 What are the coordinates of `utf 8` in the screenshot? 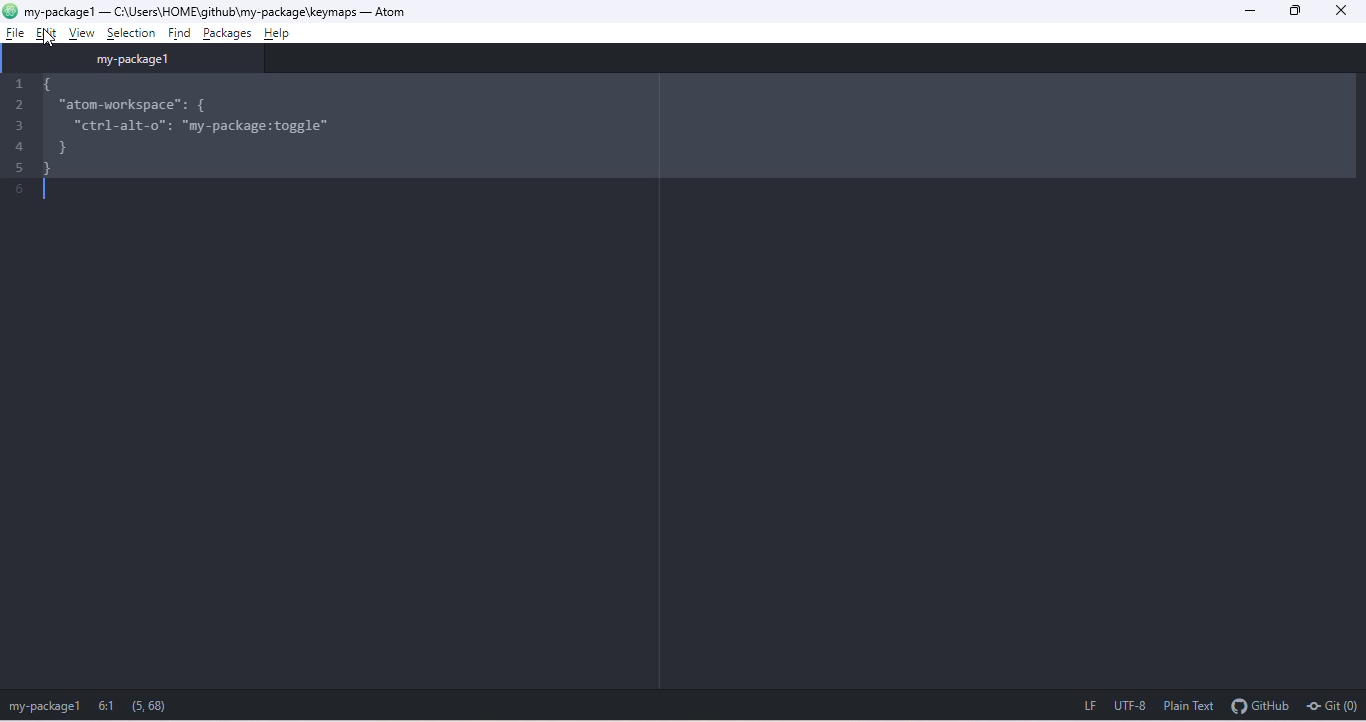 It's located at (1132, 708).